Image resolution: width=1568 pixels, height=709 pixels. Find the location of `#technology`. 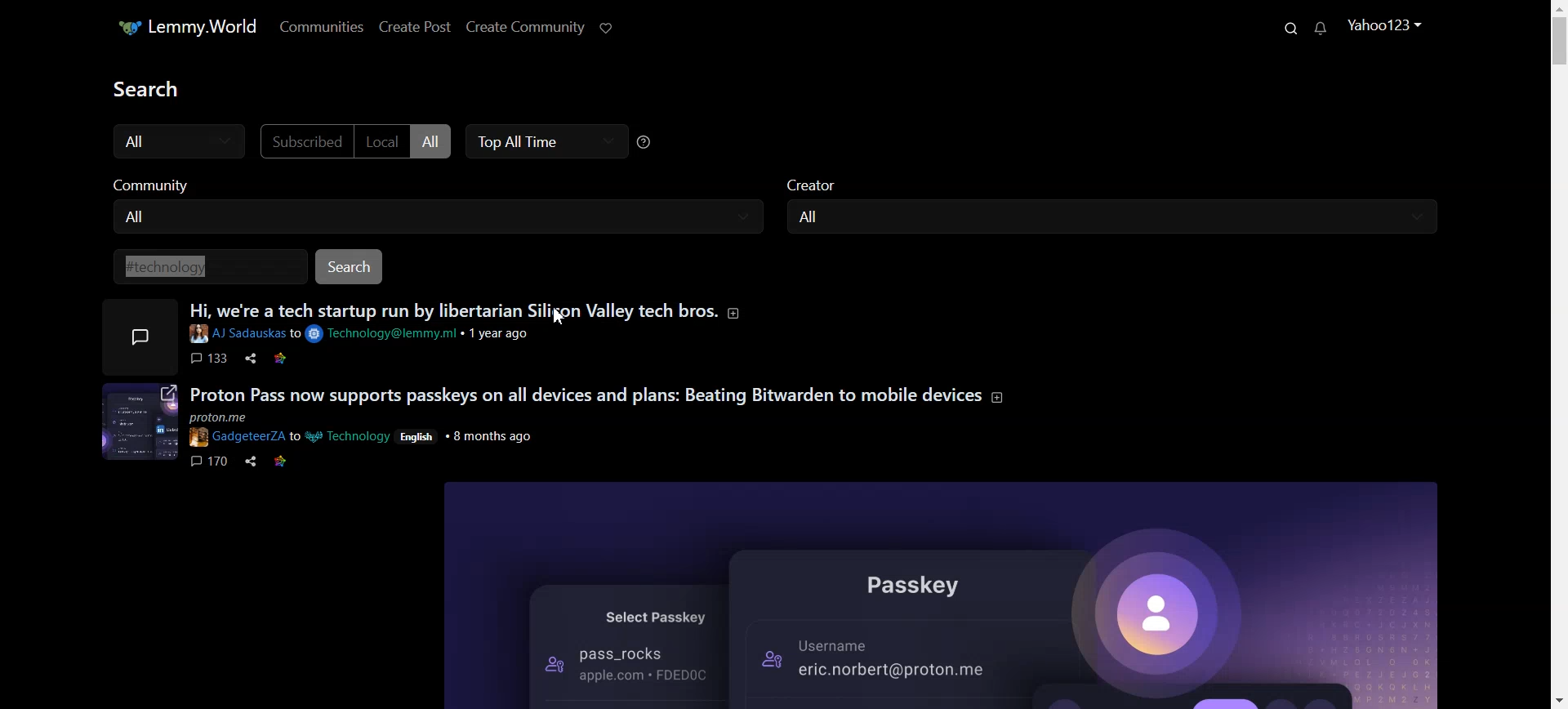

#technology is located at coordinates (205, 266).